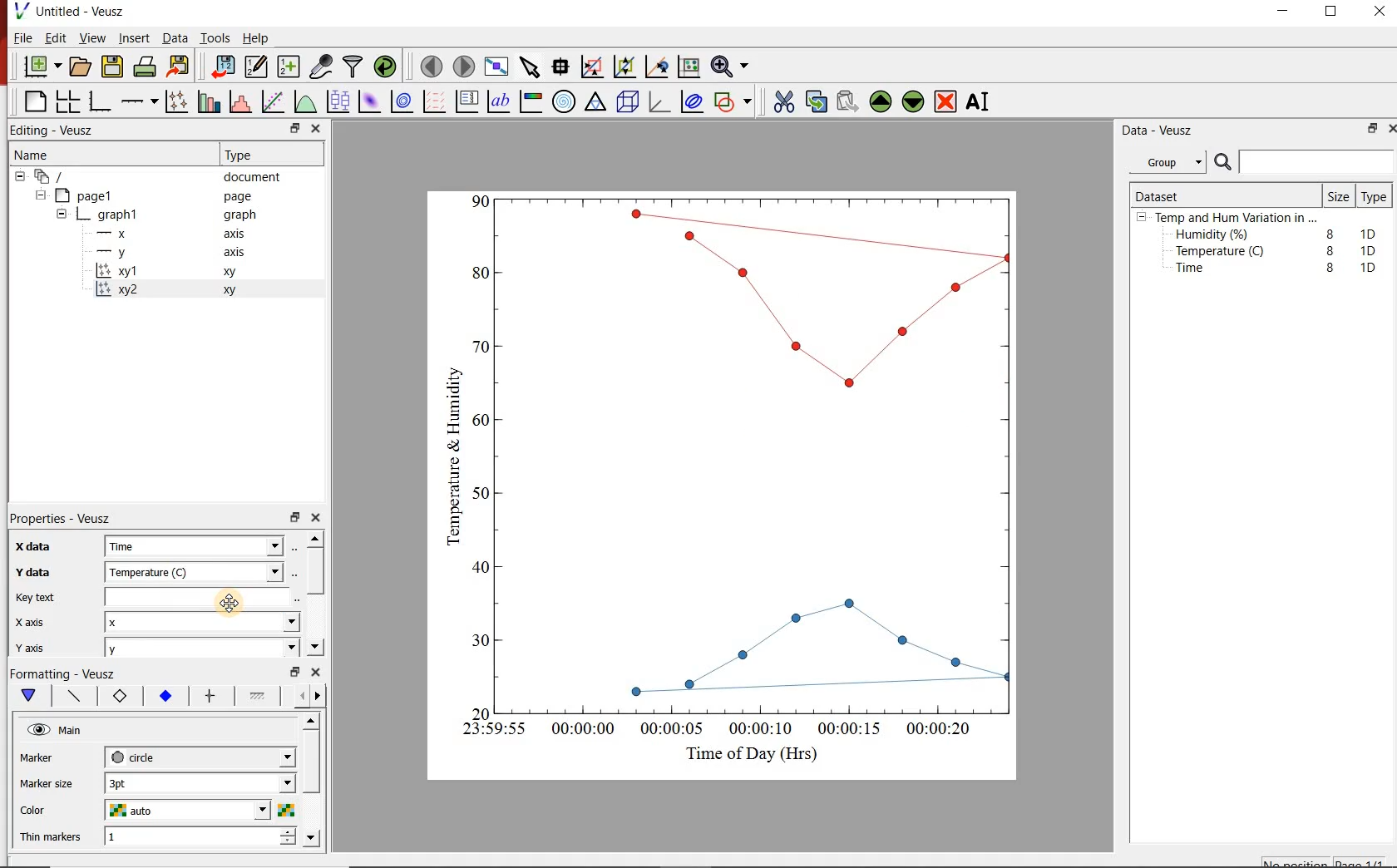  What do you see at coordinates (1164, 194) in the screenshot?
I see `Dataset` at bounding box center [1164, 194].